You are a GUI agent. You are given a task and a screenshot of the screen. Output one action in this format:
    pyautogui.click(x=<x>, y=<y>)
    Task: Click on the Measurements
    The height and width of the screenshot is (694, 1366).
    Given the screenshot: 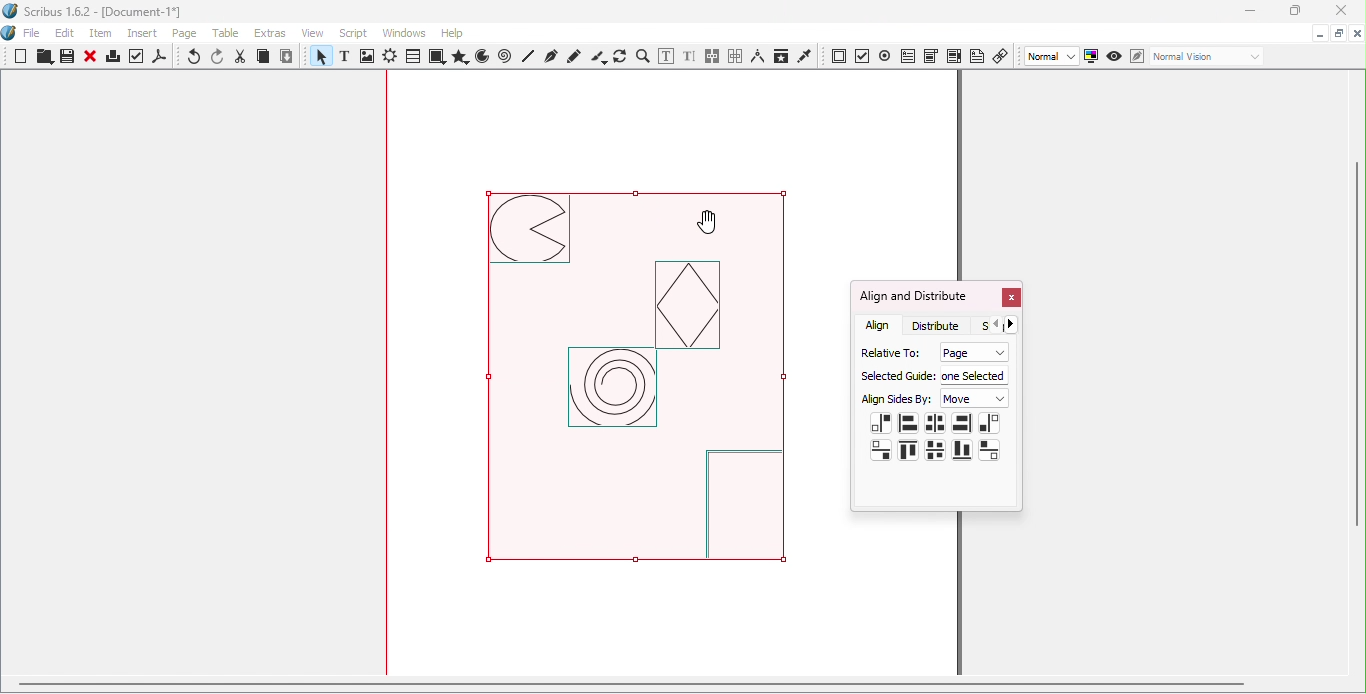 What is the action you would take?
    pyautogui.click(x=757, y=56)
    